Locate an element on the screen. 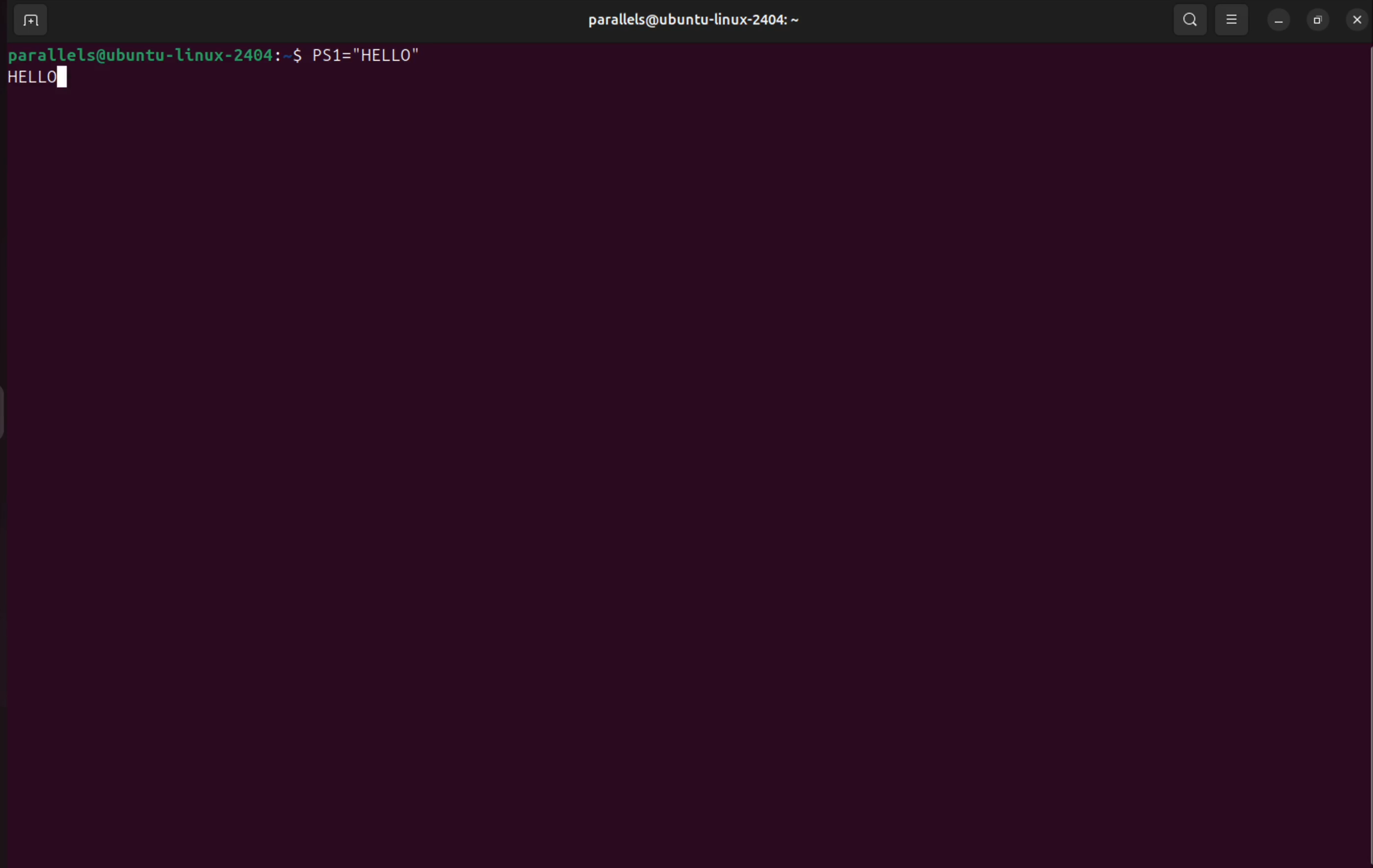 Image resolution: width=1373 pixels, height=868 pixels. minimize is located at coordinates (1278, 20).